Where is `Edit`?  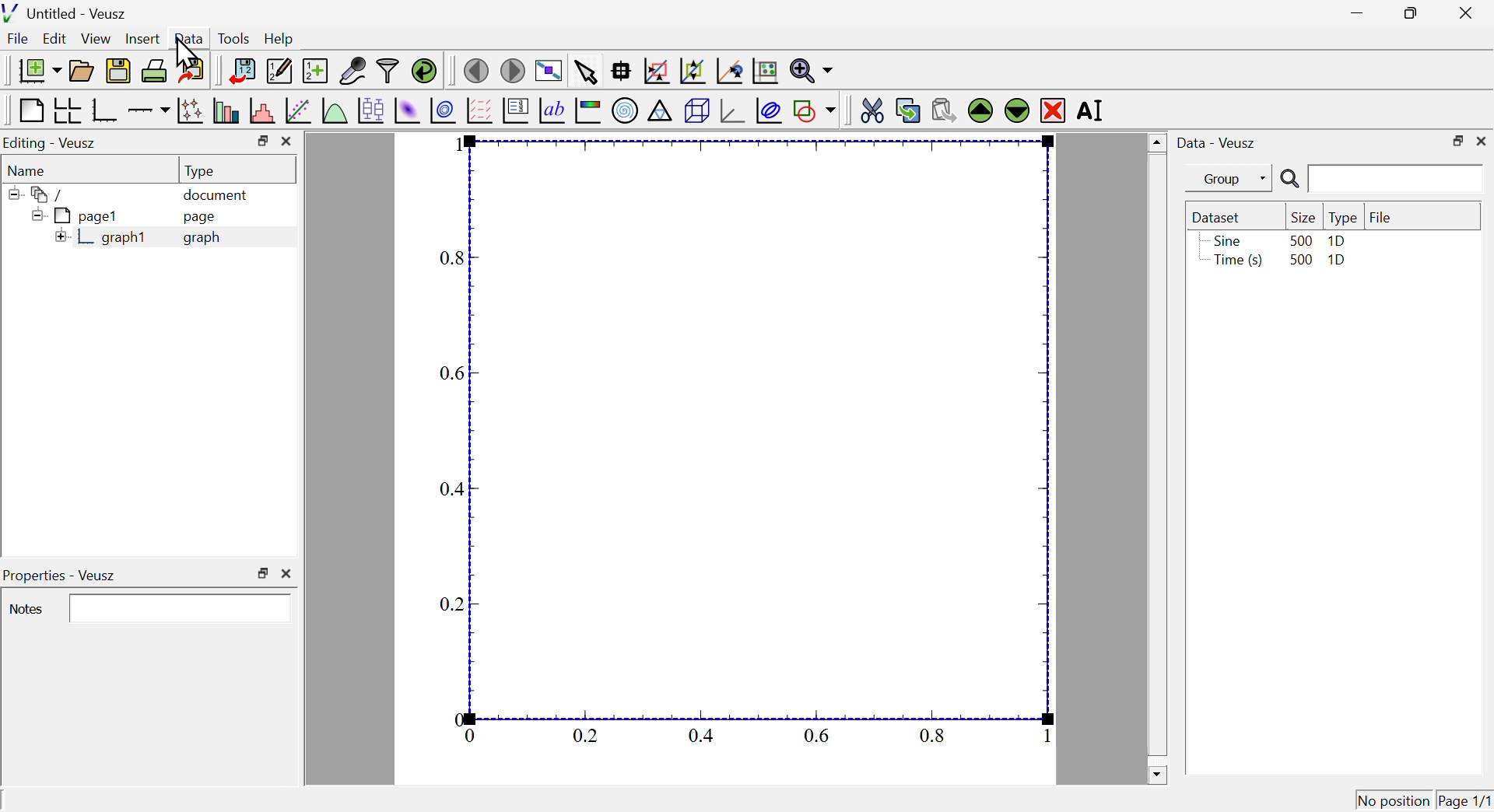
Edit is located at coordinates (55, 40).